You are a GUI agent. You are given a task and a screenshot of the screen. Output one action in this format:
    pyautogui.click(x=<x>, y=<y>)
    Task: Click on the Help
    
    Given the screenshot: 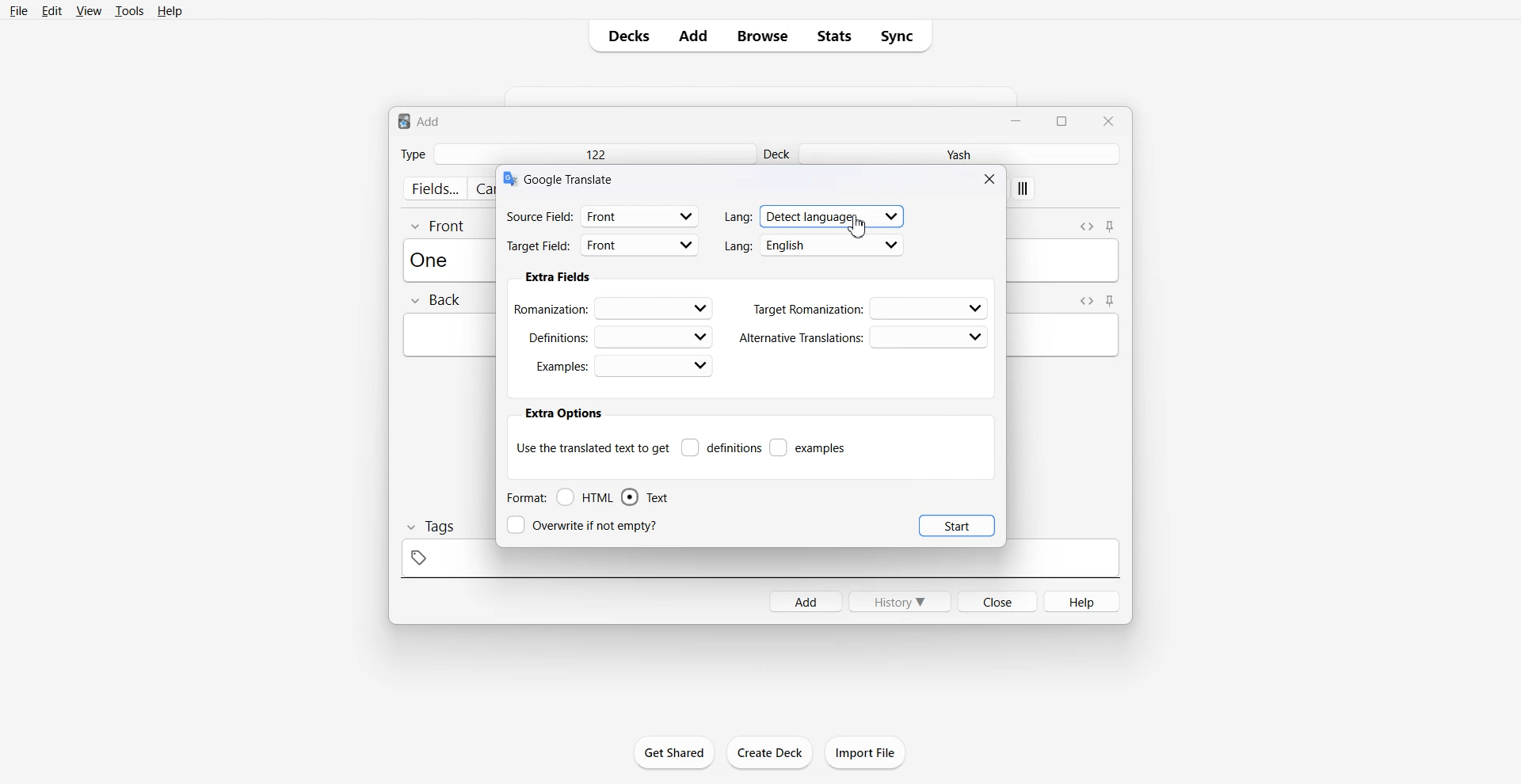 What is the action you would take?
    pyautogui.click(x=1083, y=601)
    